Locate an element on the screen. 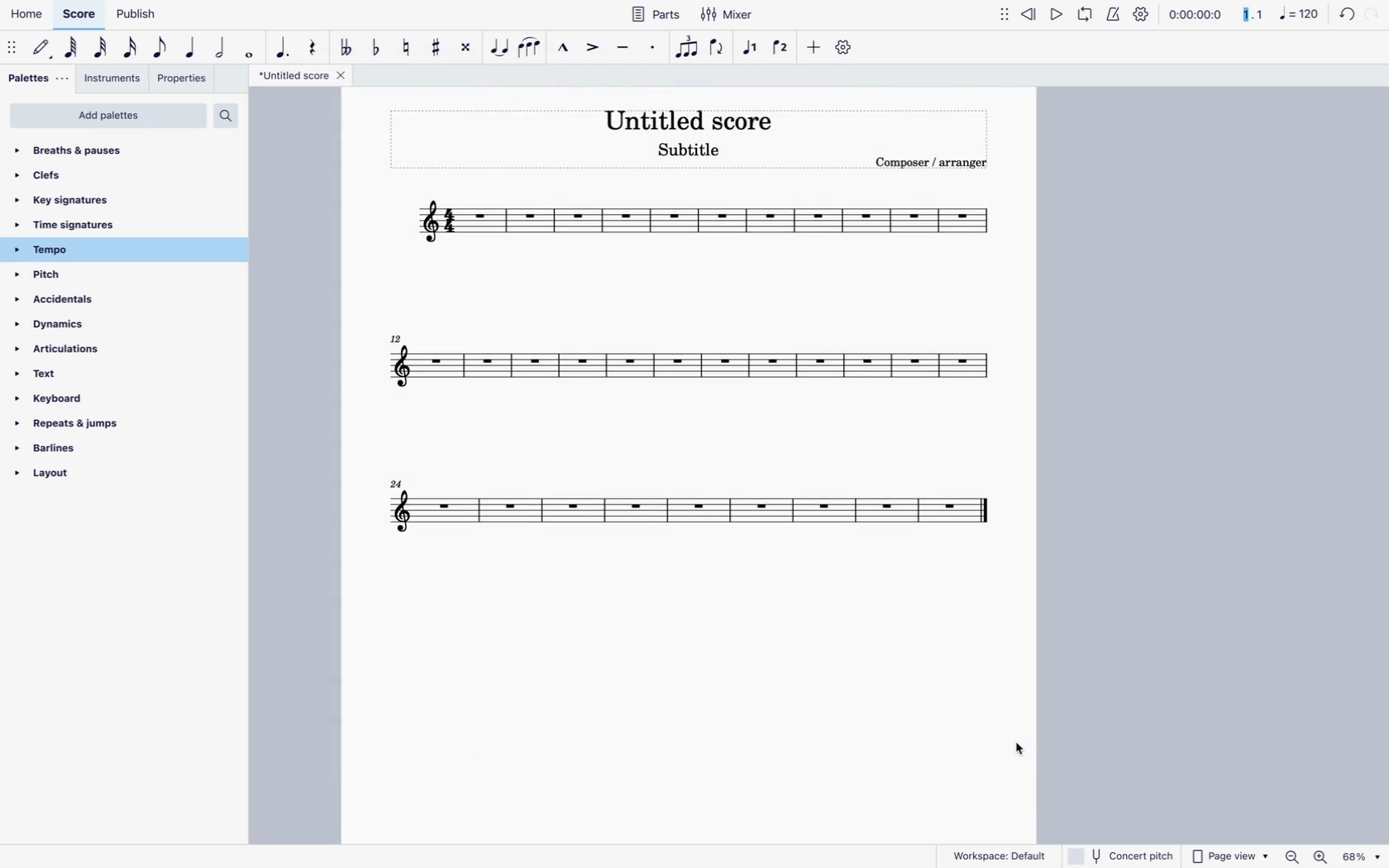  repeats & jumps is located at coordinates (69, 425).